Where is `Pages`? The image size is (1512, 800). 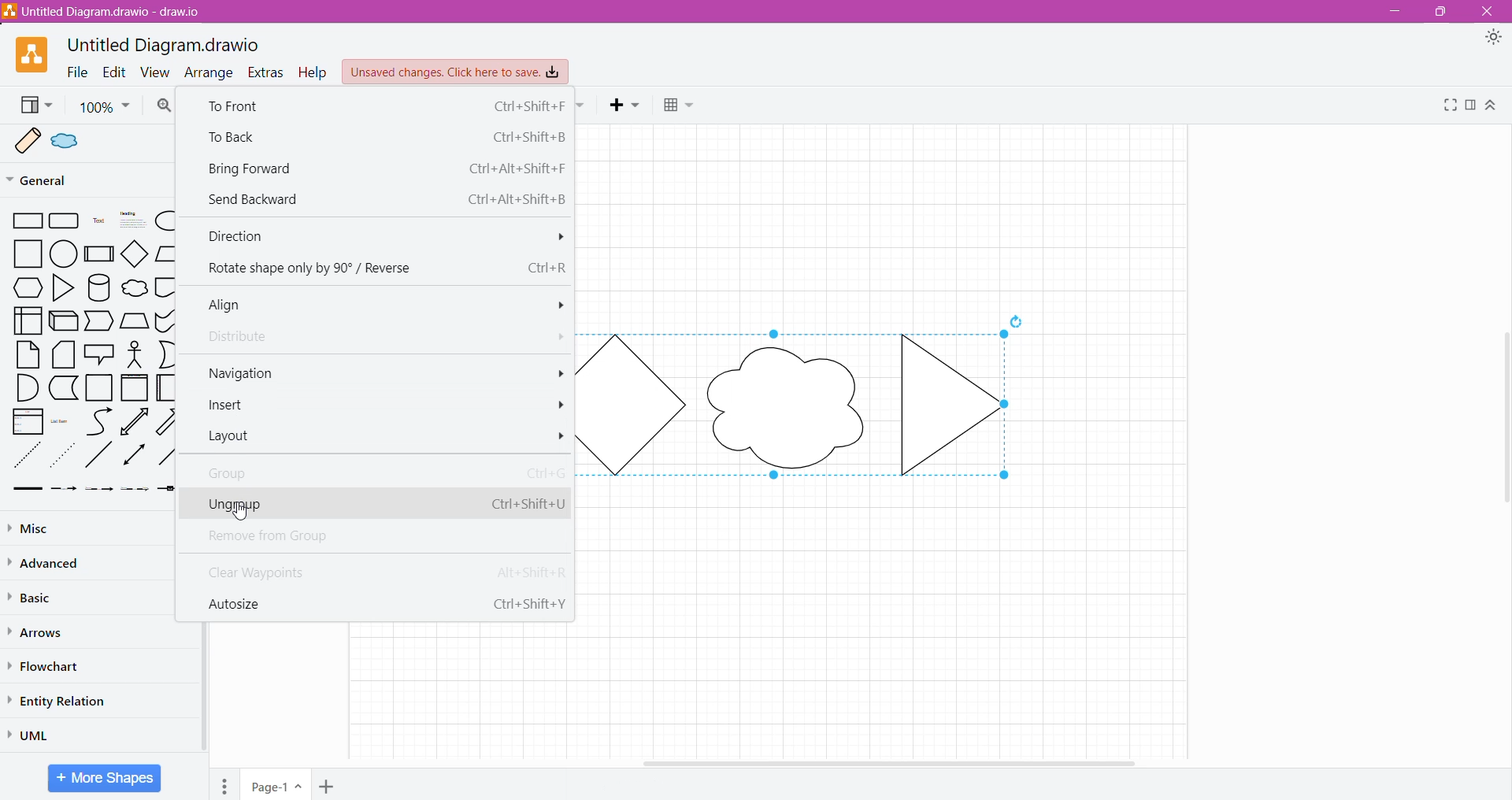 Pages is located at coordinates (220, 783).